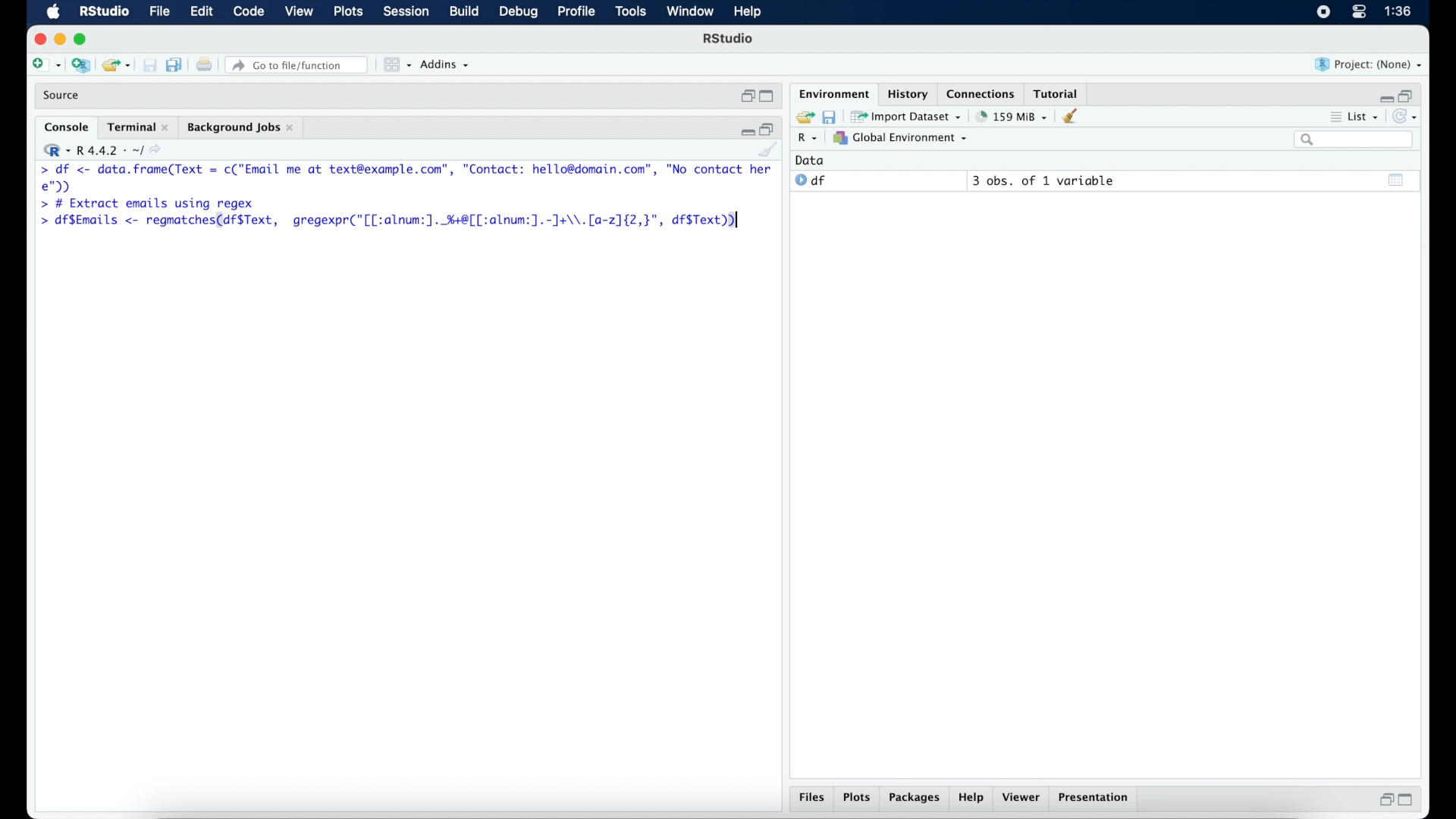  Describe the element at coordinates (149, 64) in the screenshot. I see `print` at that location.